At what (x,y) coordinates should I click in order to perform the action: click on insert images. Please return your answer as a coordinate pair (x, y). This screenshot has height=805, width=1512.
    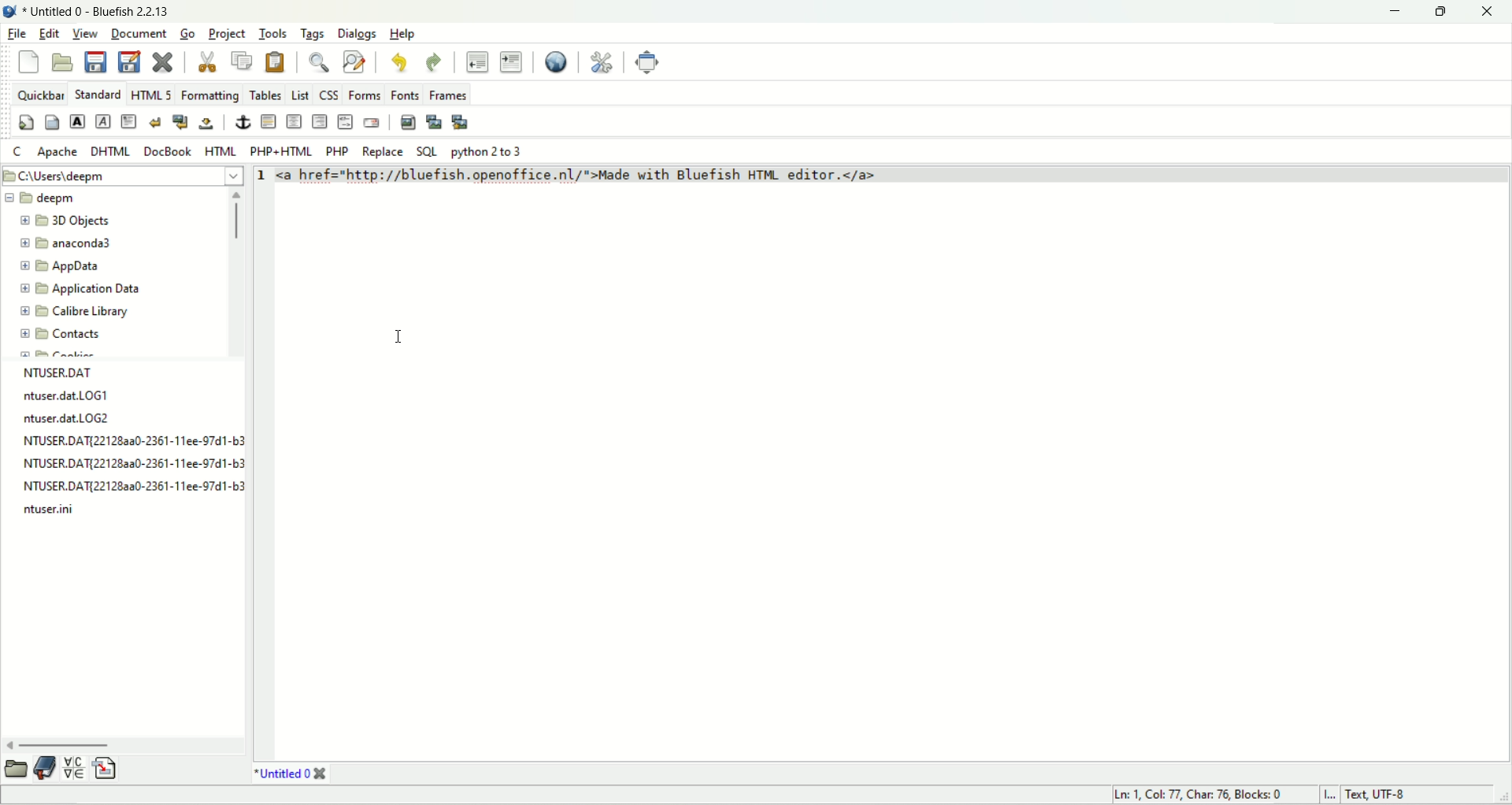
    Looking at the image, I should click on (407, 122).